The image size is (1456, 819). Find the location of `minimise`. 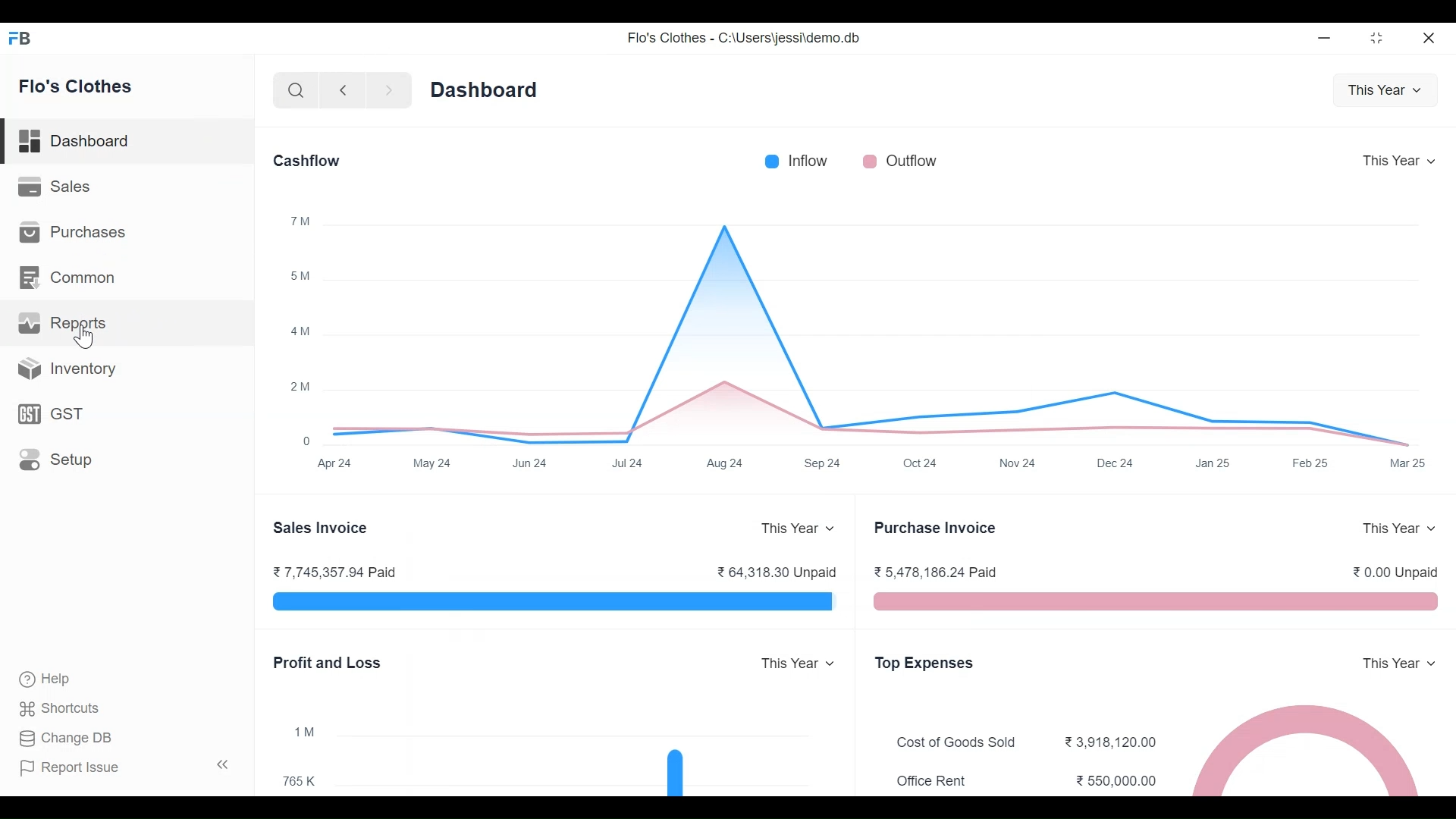

minimise is located at coordinates (1326, 37).